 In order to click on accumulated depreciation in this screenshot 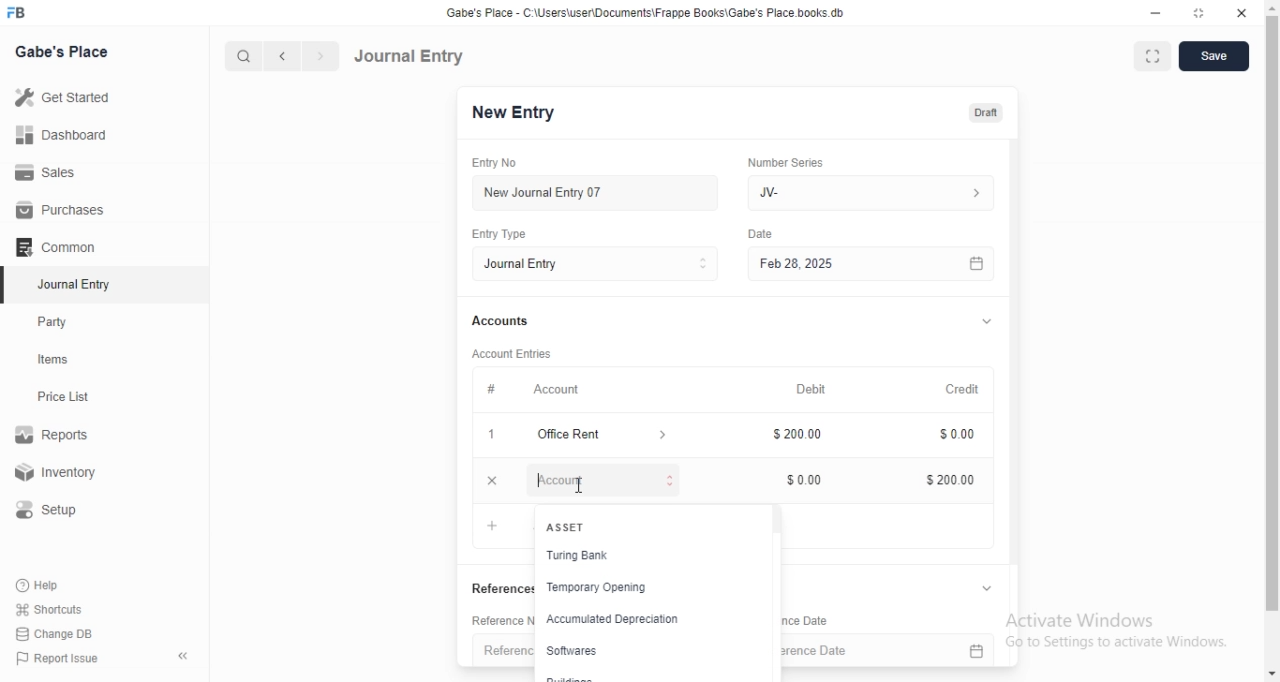, I will do `click(614, 621)`.